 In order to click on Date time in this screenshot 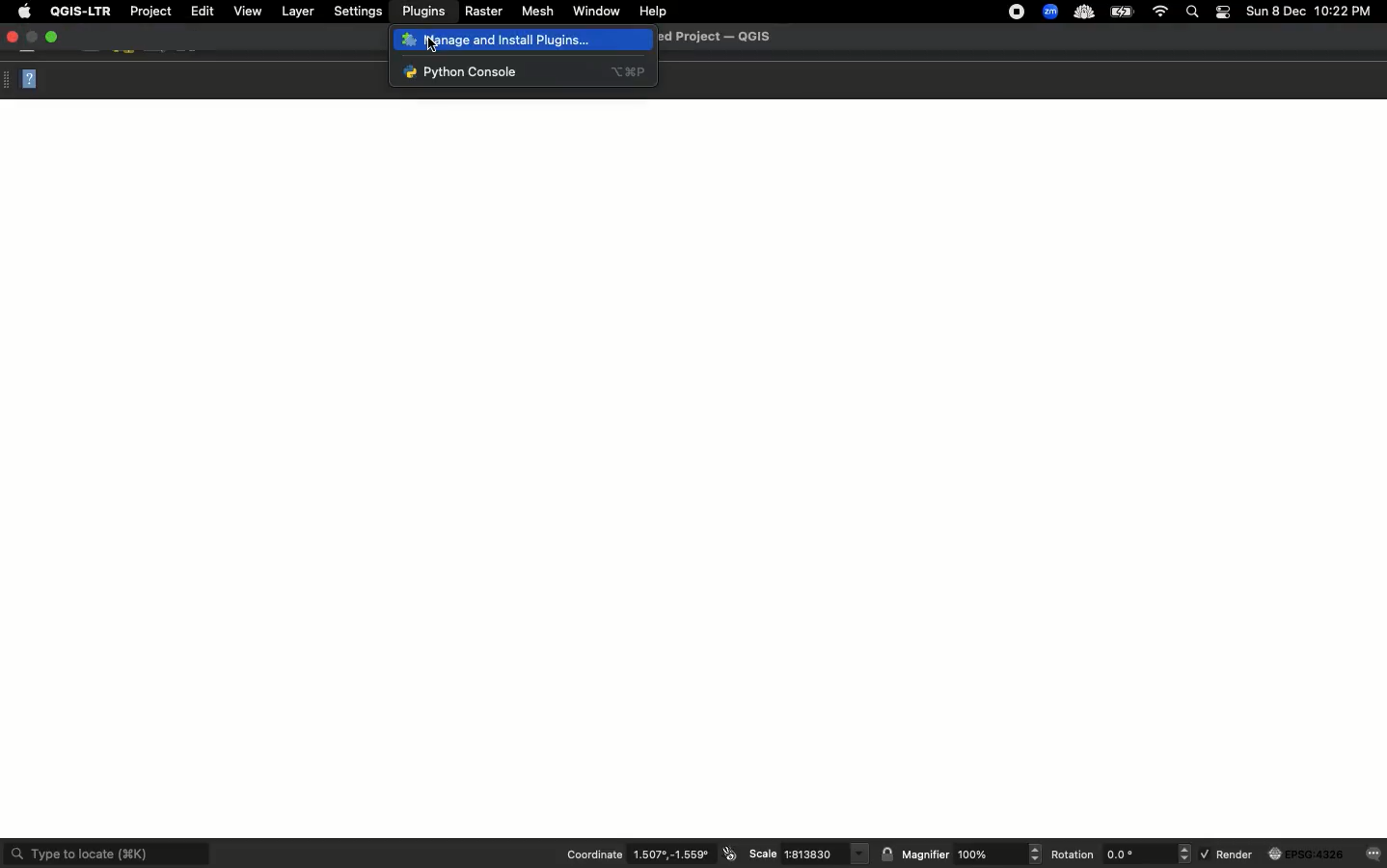, I will do `click(1310, 12)`.